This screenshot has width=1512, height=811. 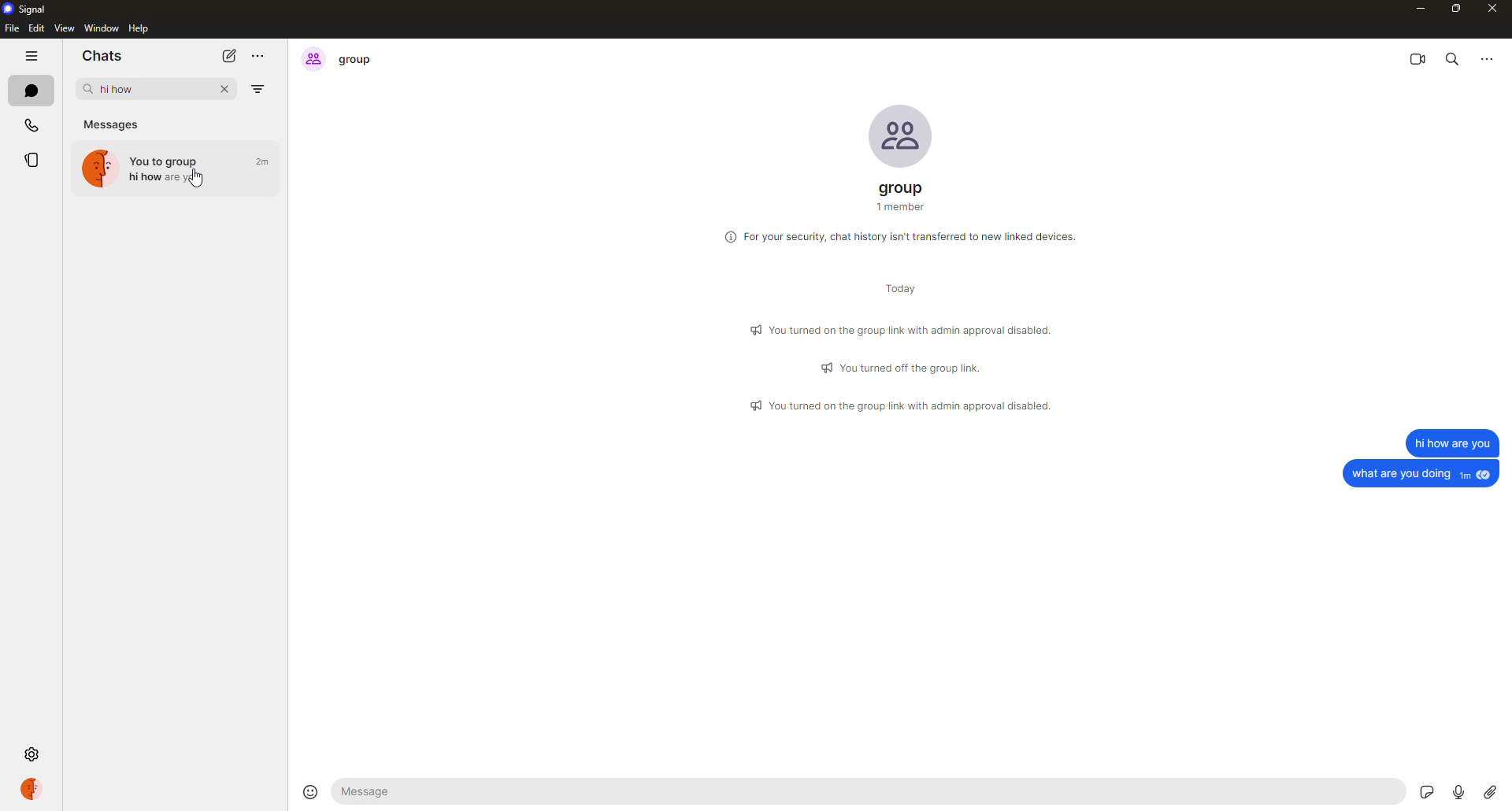 I want to click on group, so click(x=904, y=197).